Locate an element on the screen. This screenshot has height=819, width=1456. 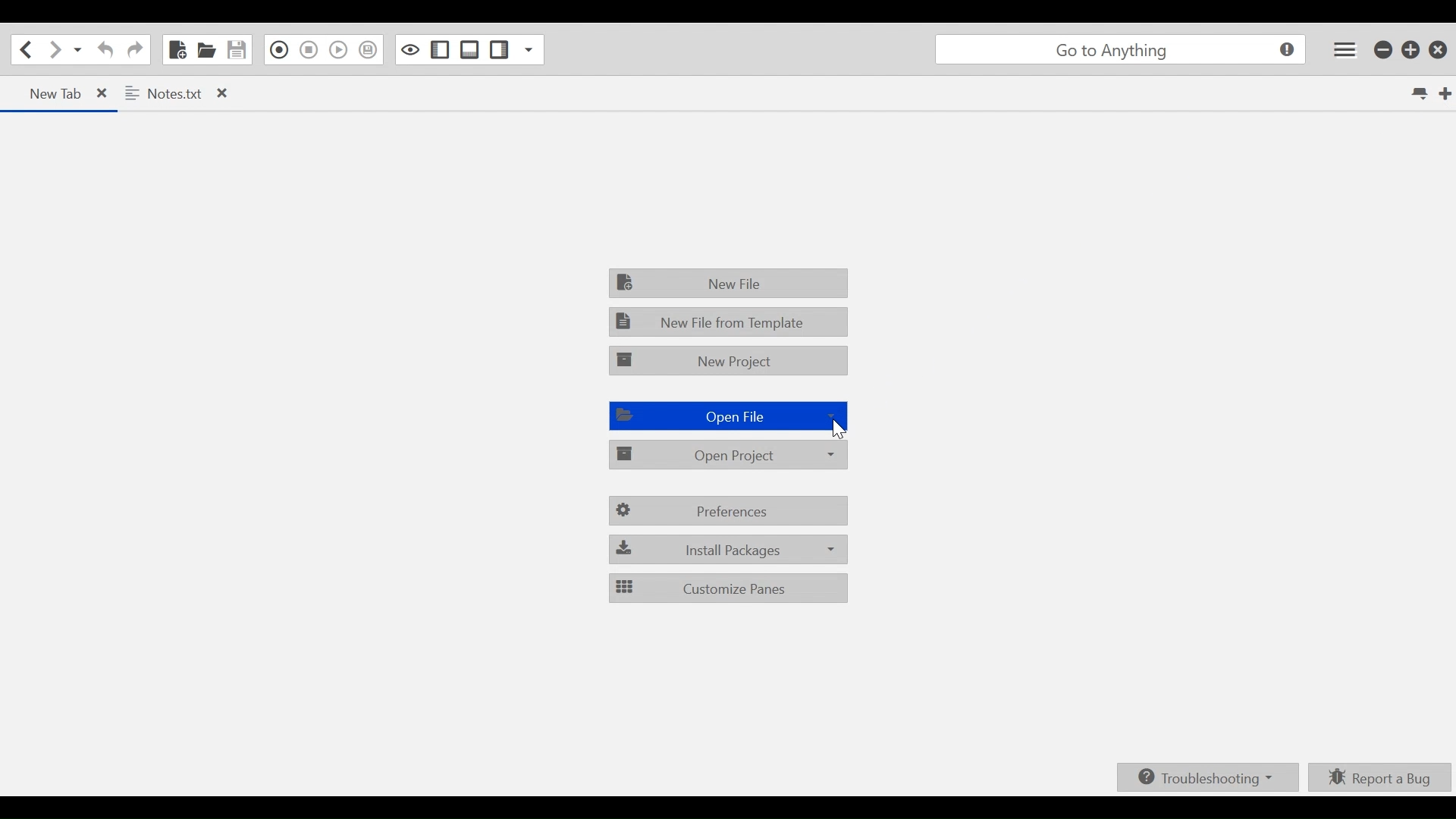
Report a bUg is located at coordinates (1380, 777).